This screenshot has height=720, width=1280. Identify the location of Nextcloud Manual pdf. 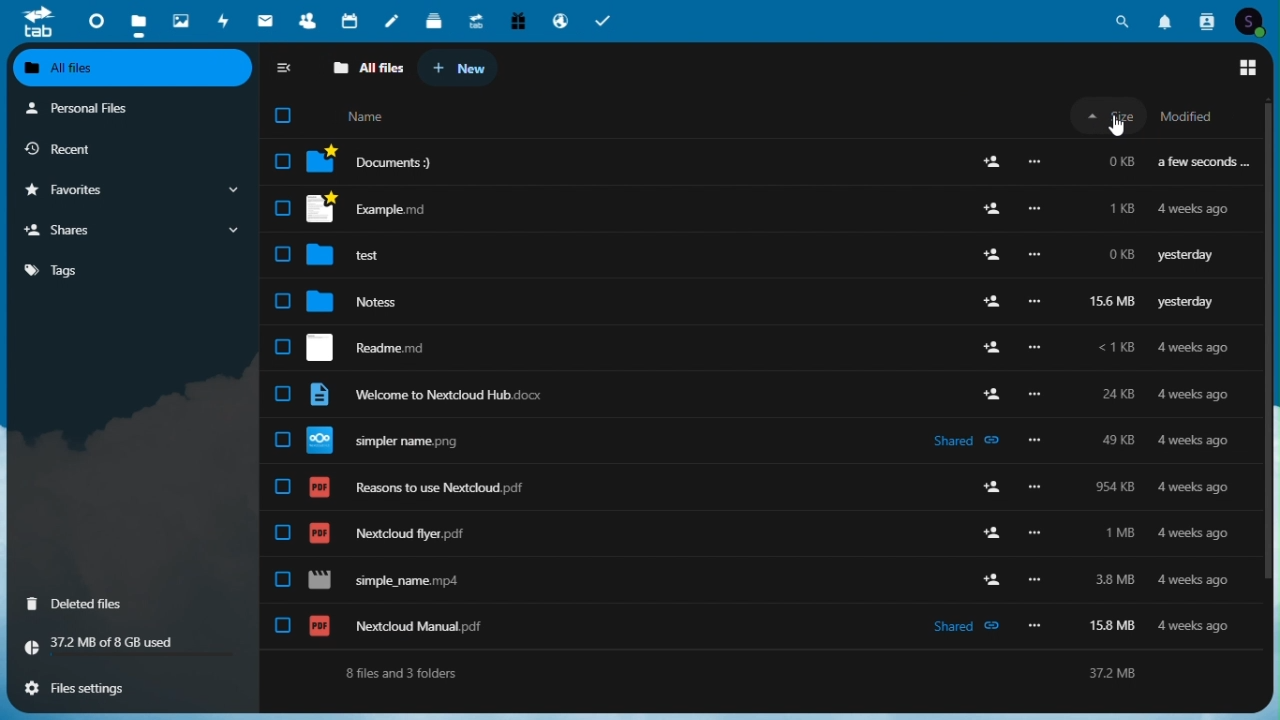
(756, 445).